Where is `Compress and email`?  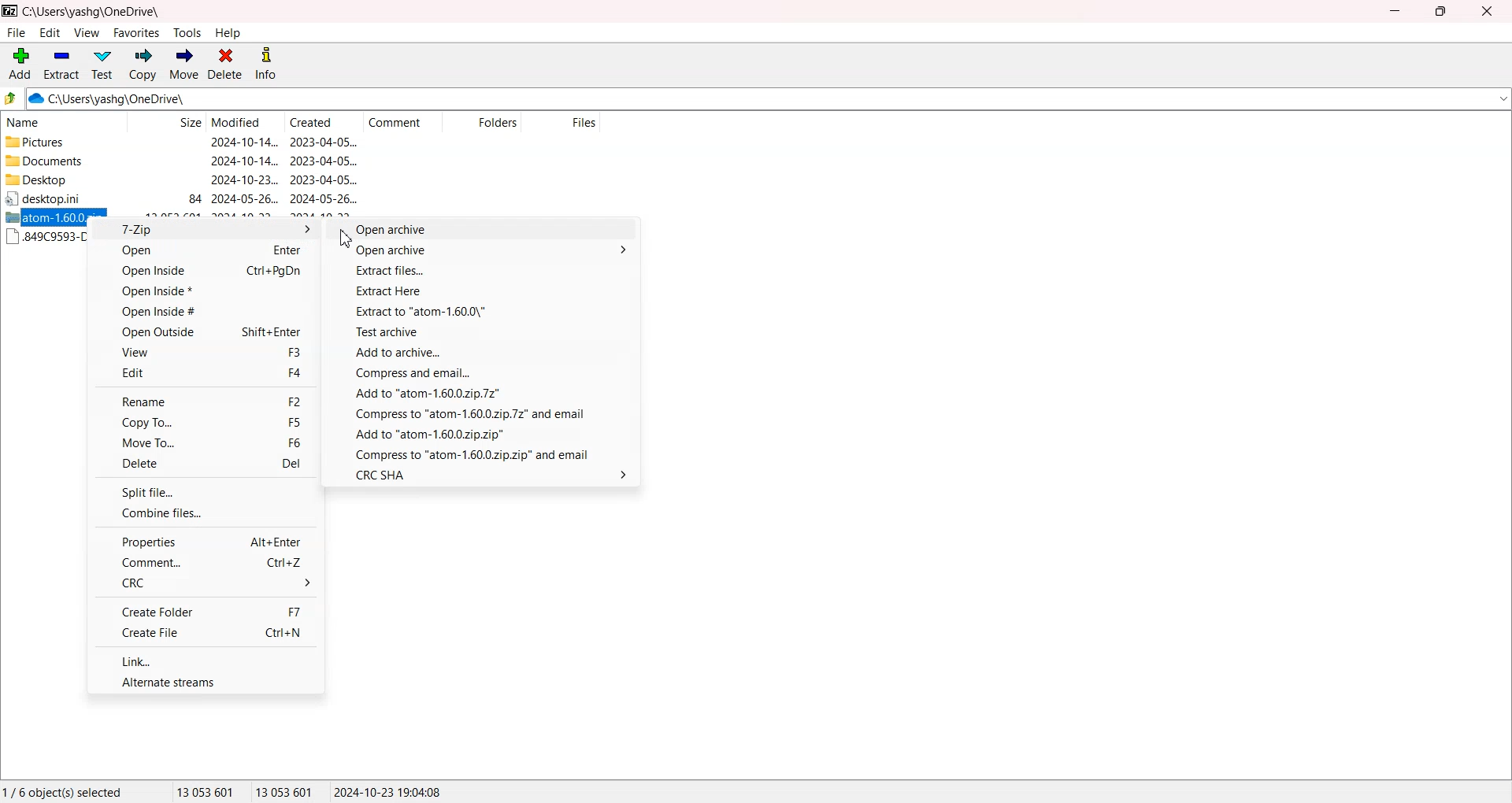
Compress and email is located at coordinates (484, 373).